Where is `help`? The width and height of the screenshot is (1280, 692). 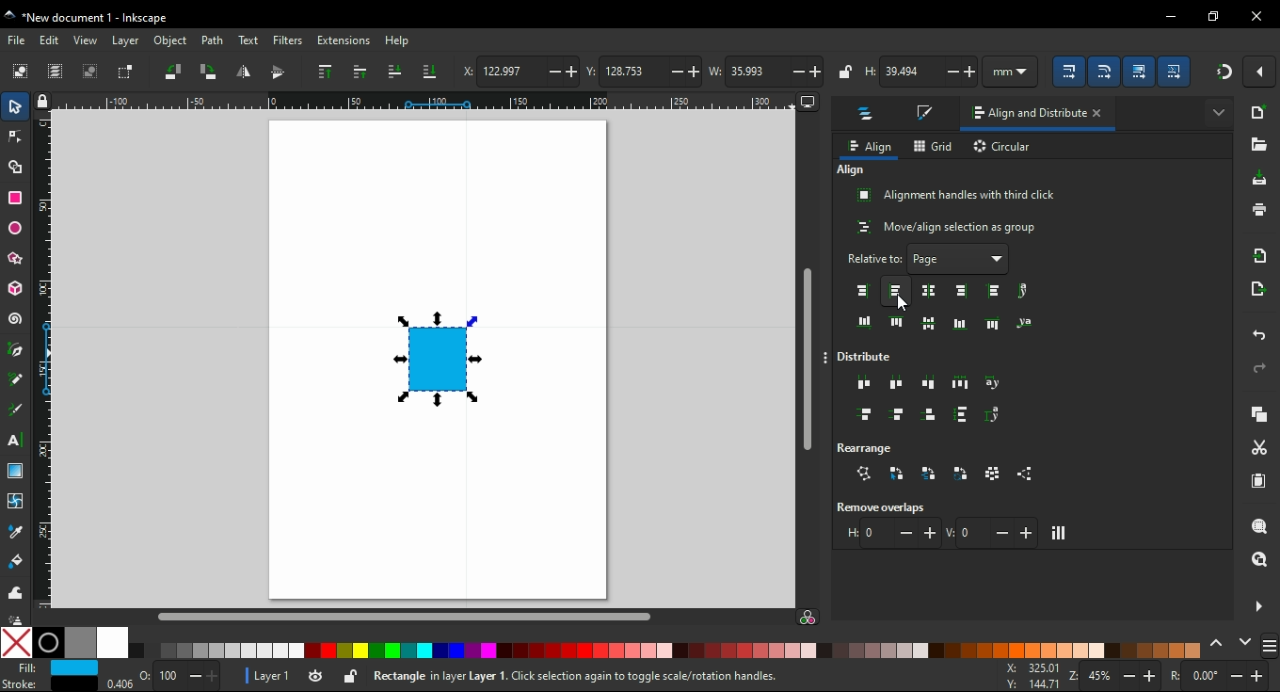
help is located at coordinates (400, 40).